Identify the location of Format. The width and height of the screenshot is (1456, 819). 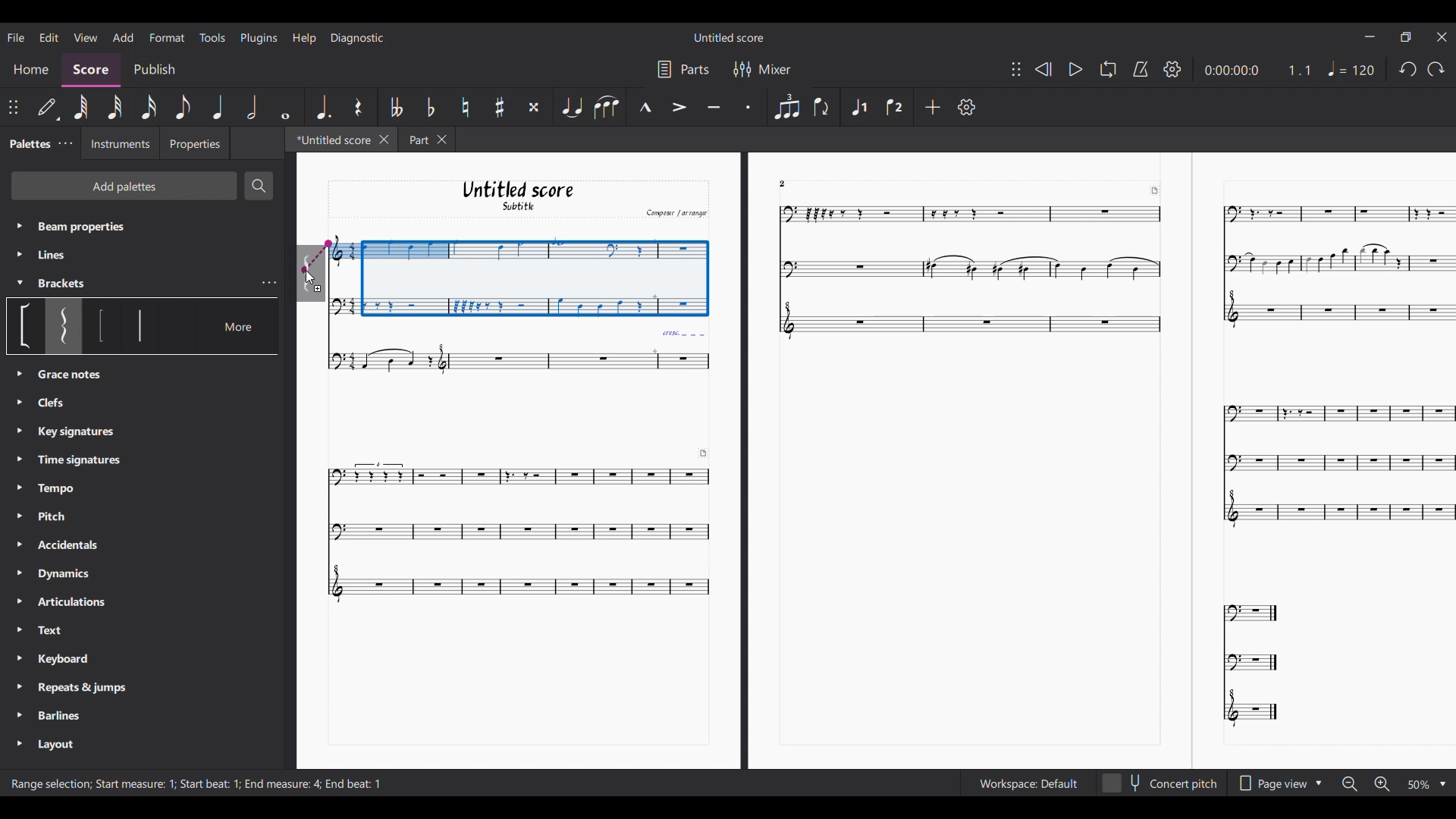
(168, 37).